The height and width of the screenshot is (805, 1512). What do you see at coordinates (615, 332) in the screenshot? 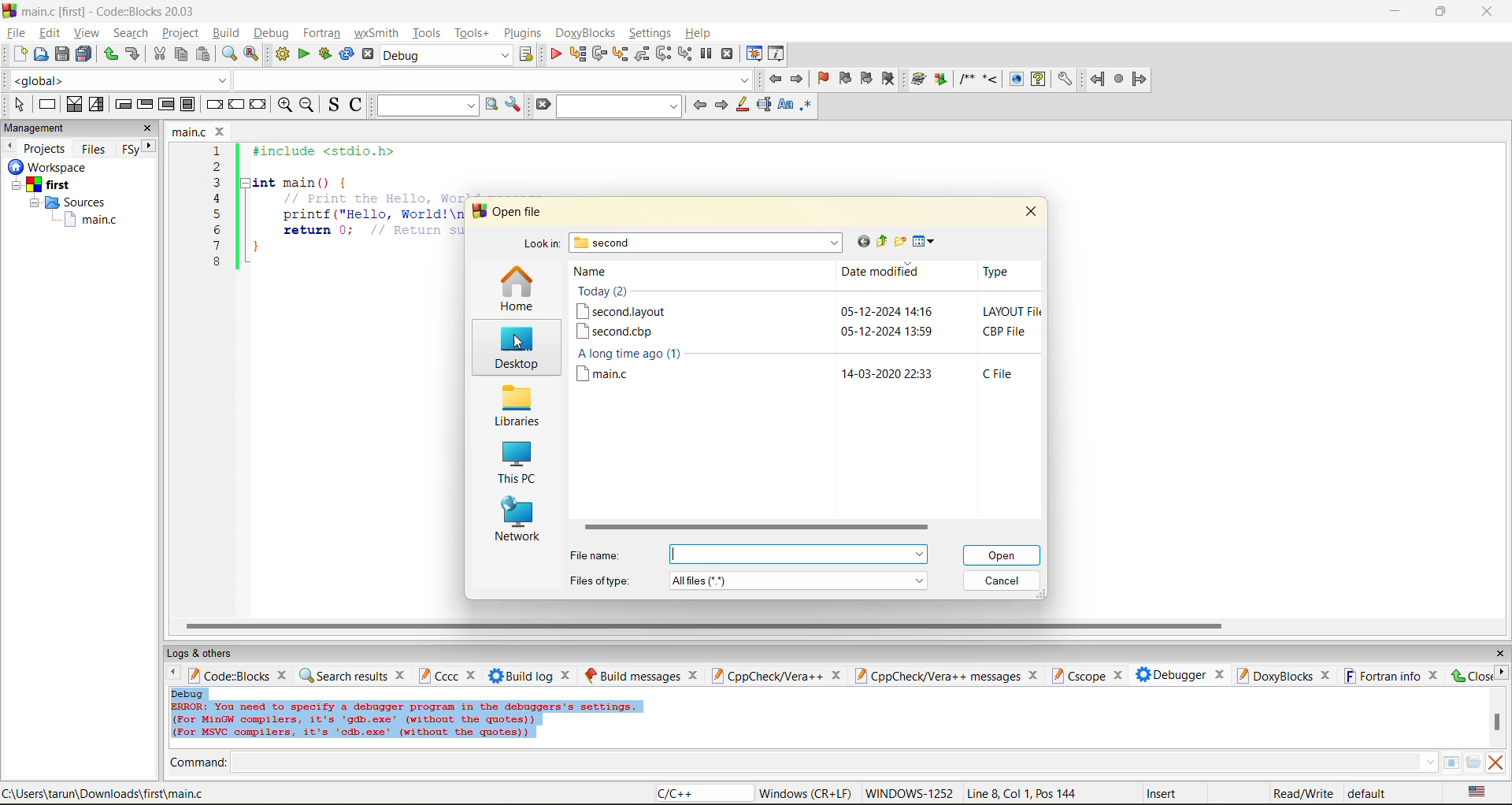
I see `second.cbp file` at bounding box center [615, 332].